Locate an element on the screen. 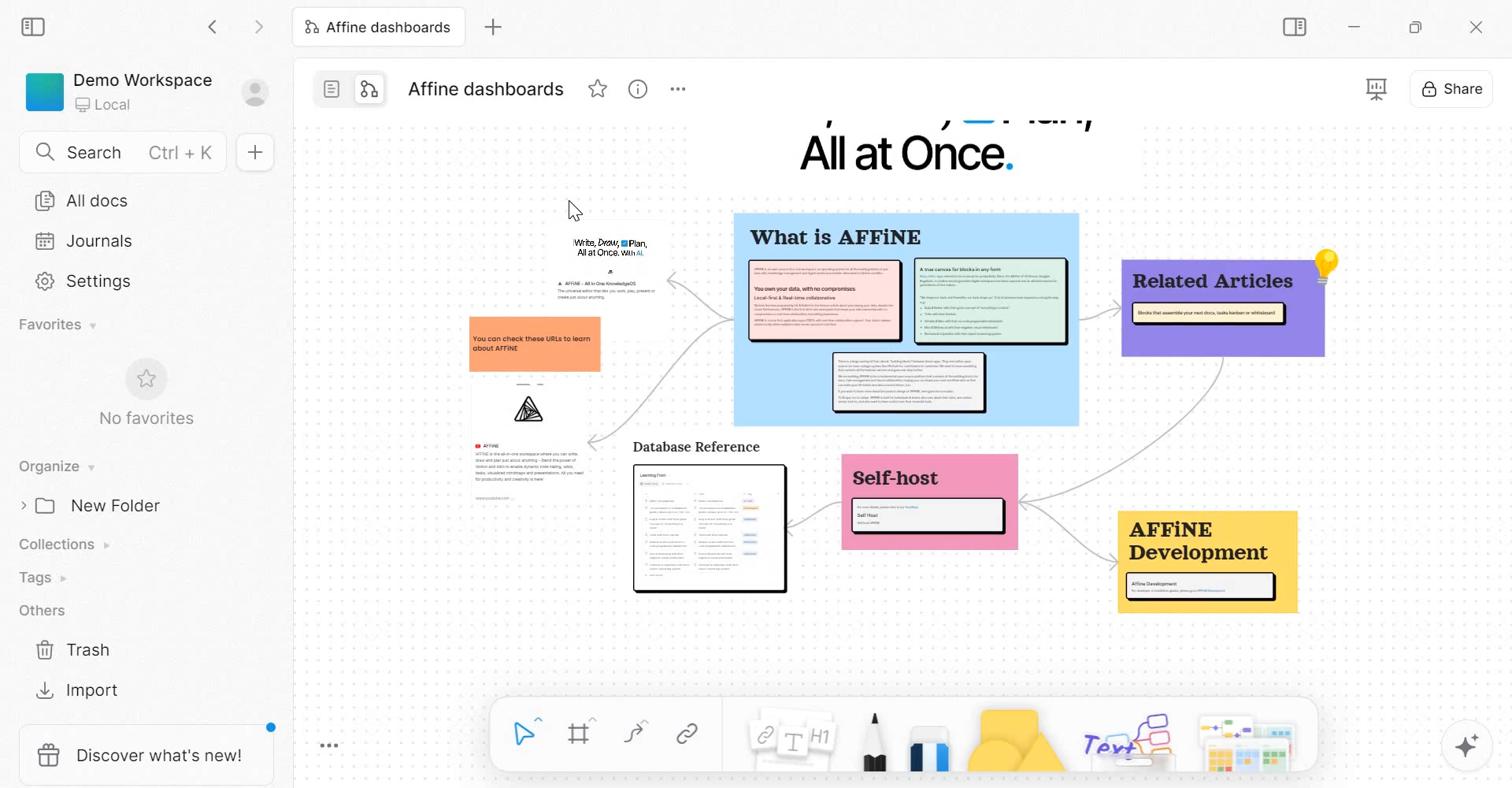 The image size is (1512, 788).  templates is located at coordinates (1247, 742).